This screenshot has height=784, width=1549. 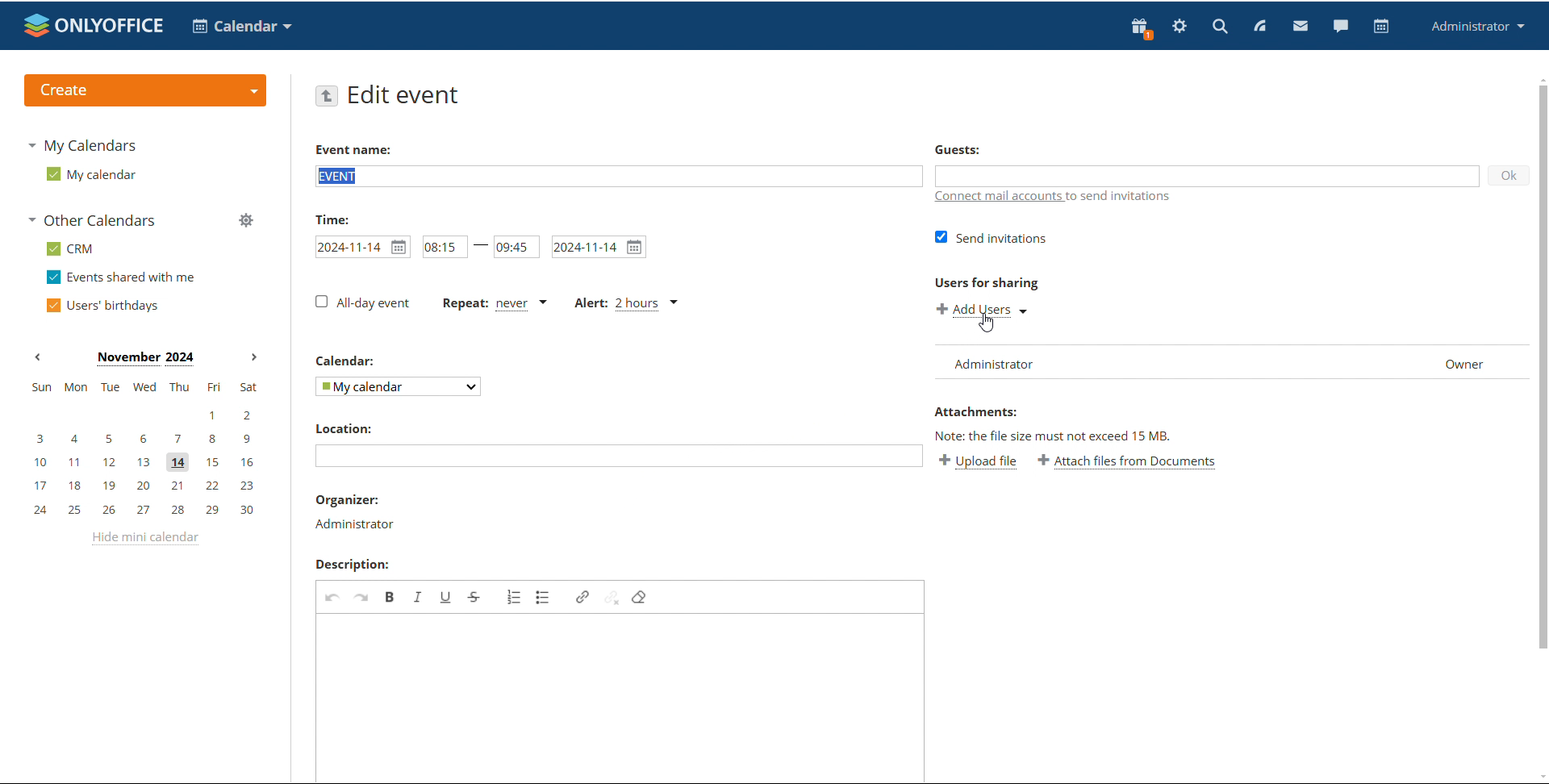 I want to click on add description, so click(x=622, y=697).